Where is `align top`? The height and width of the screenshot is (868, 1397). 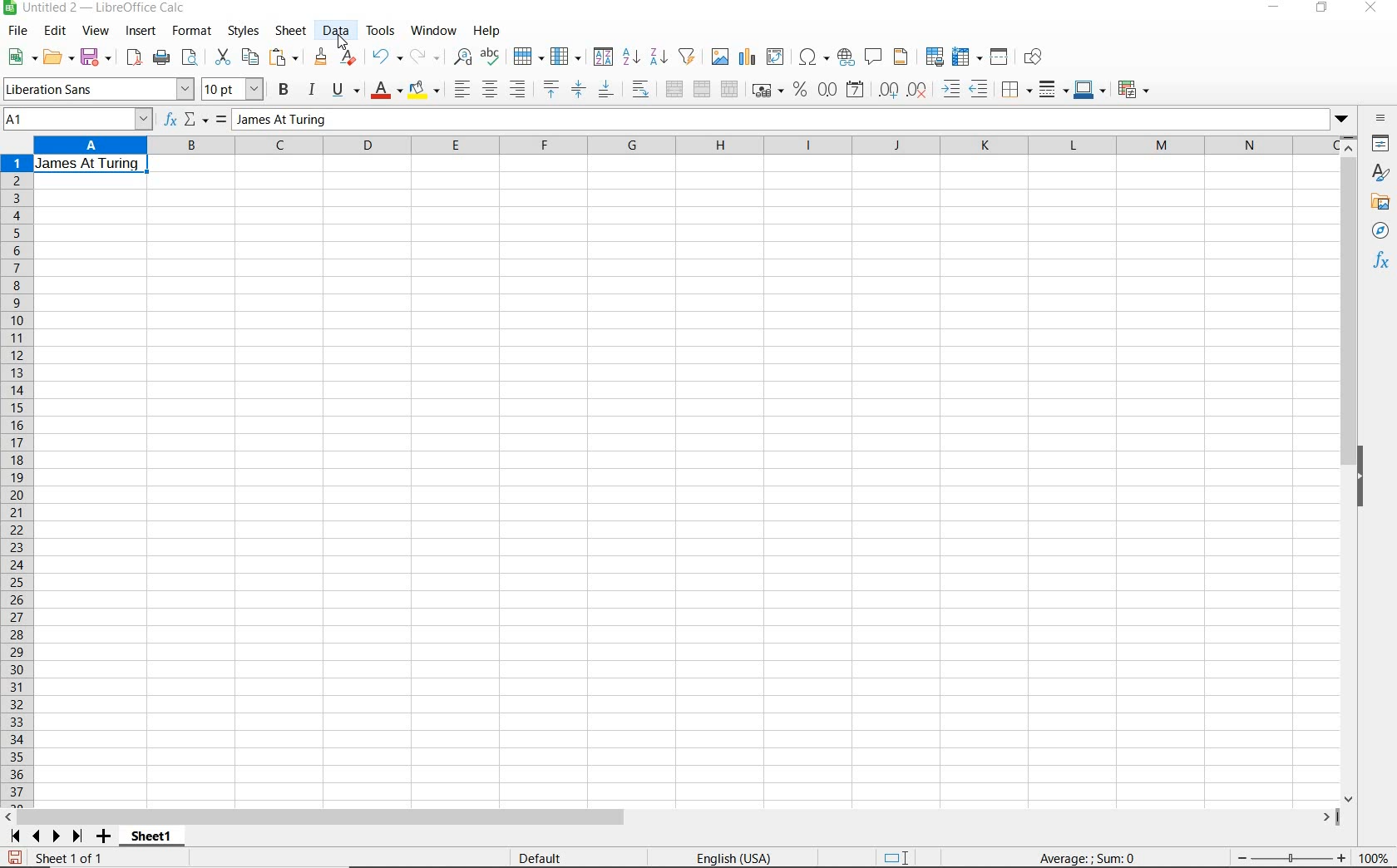
align top is located at coordinates (550, 89).